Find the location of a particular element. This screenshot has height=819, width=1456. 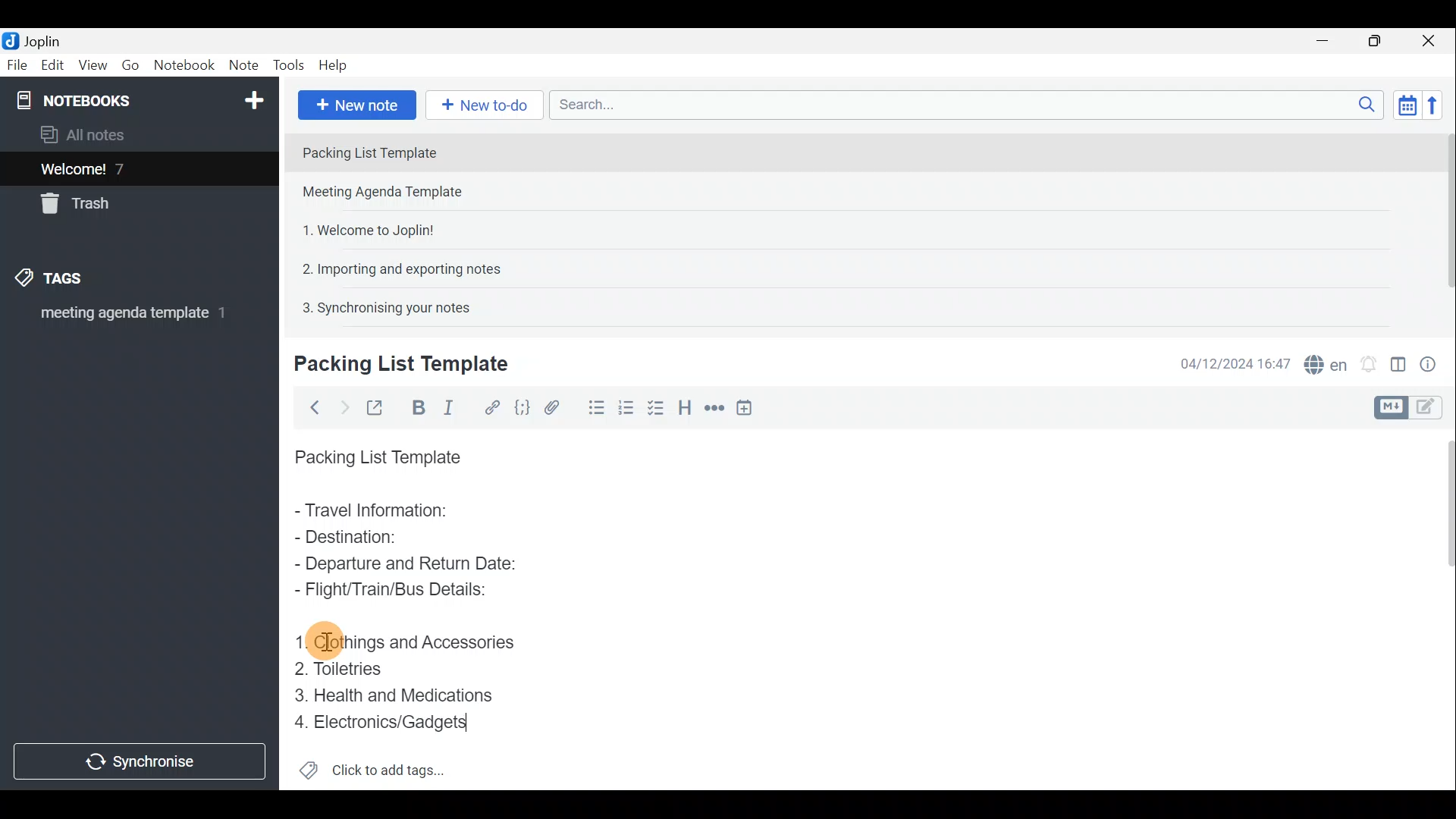

New note is located at coordinates (356, 103).